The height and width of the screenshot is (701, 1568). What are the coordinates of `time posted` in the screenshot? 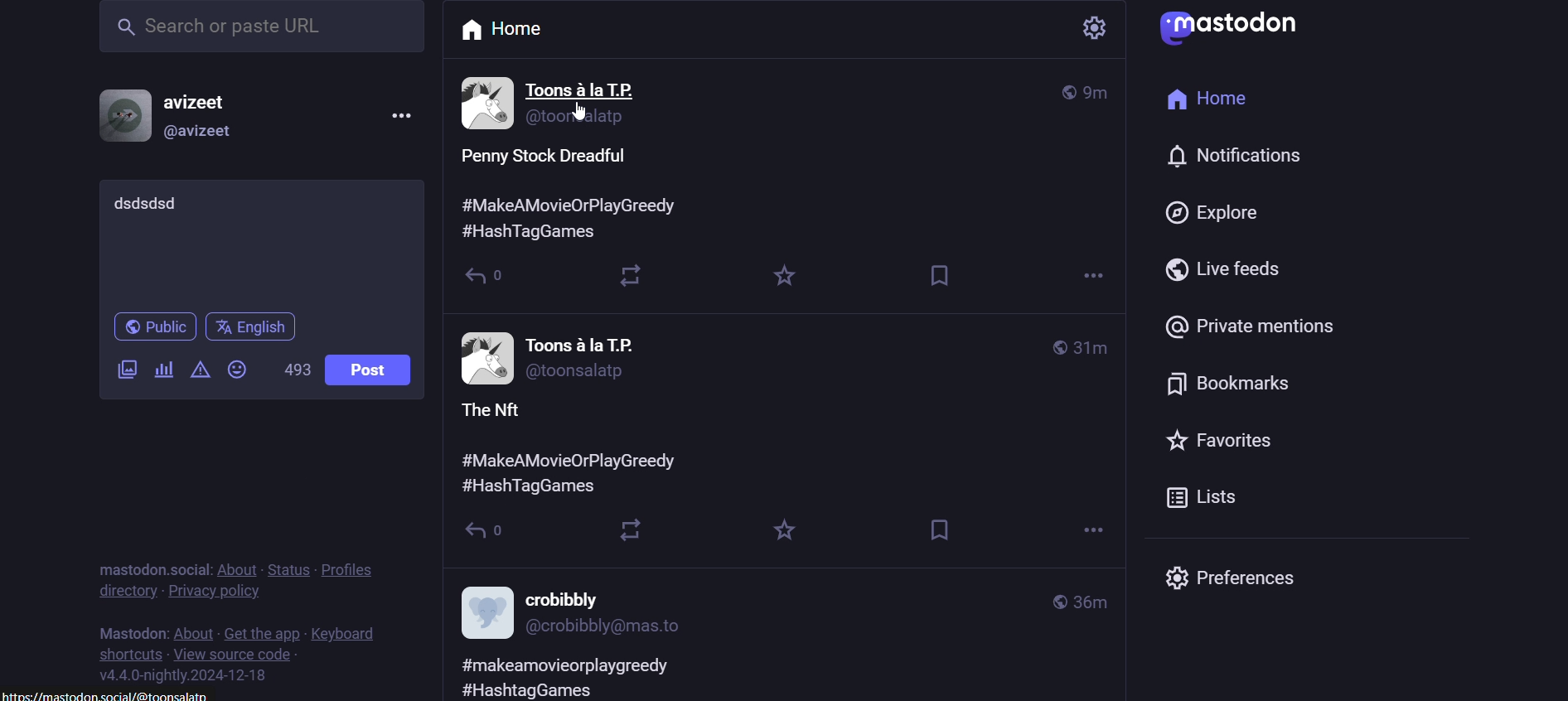 It's located at (1101, 87).